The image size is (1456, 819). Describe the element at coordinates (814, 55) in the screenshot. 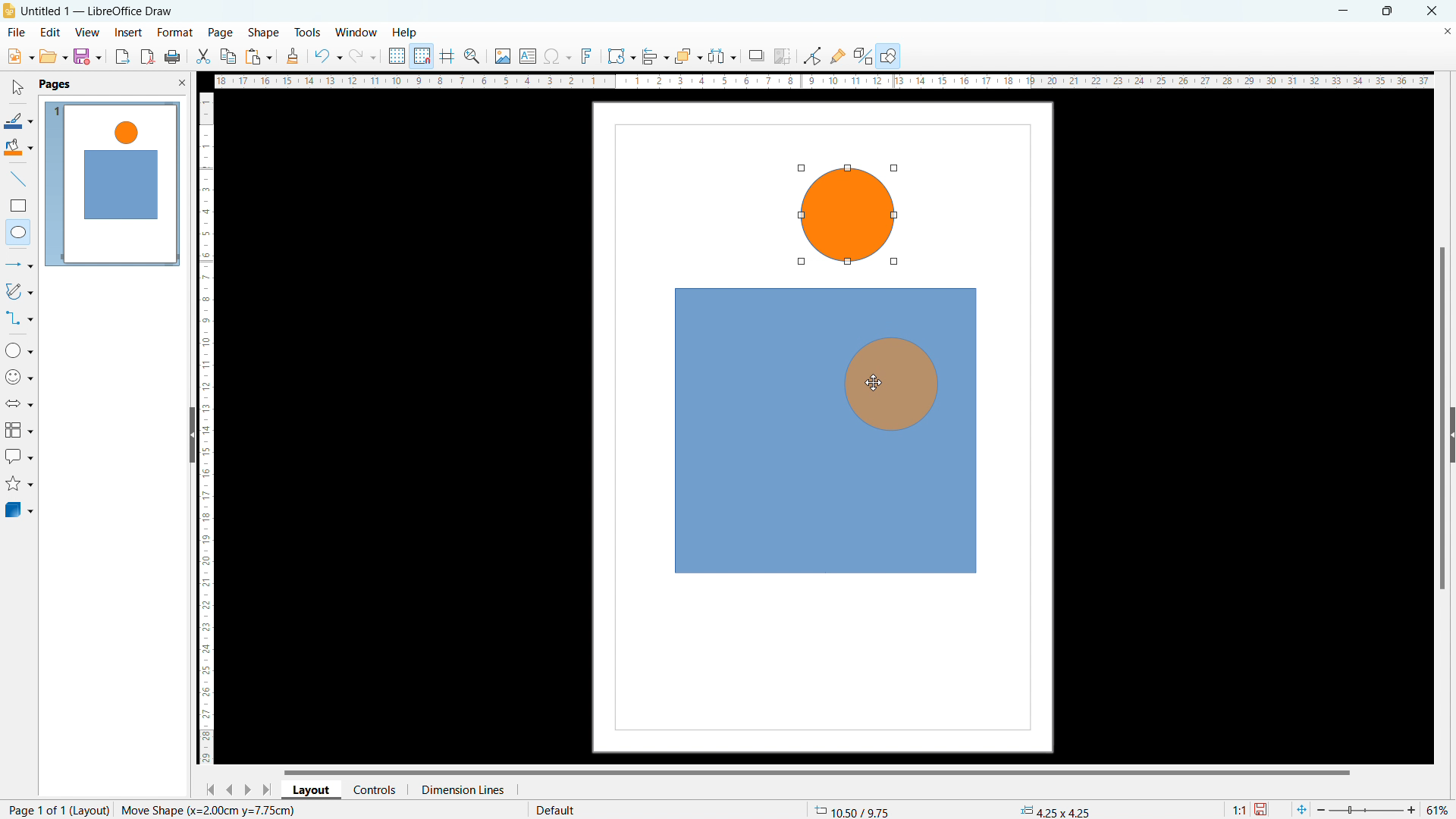

I see `toggle point edit mode` at that location.